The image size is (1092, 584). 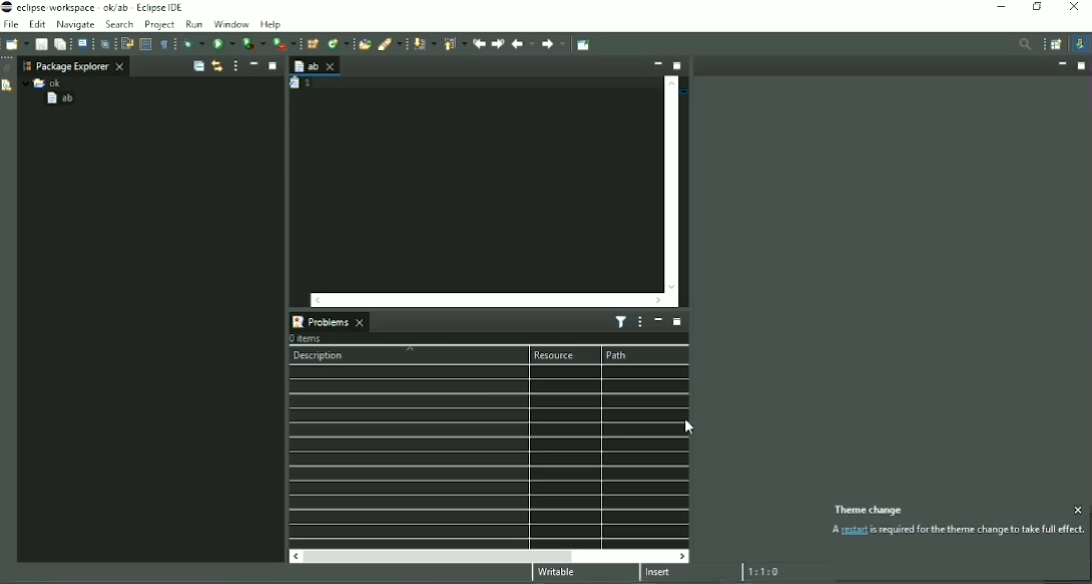 I want to click on Filters, so click(x=621, y=322).